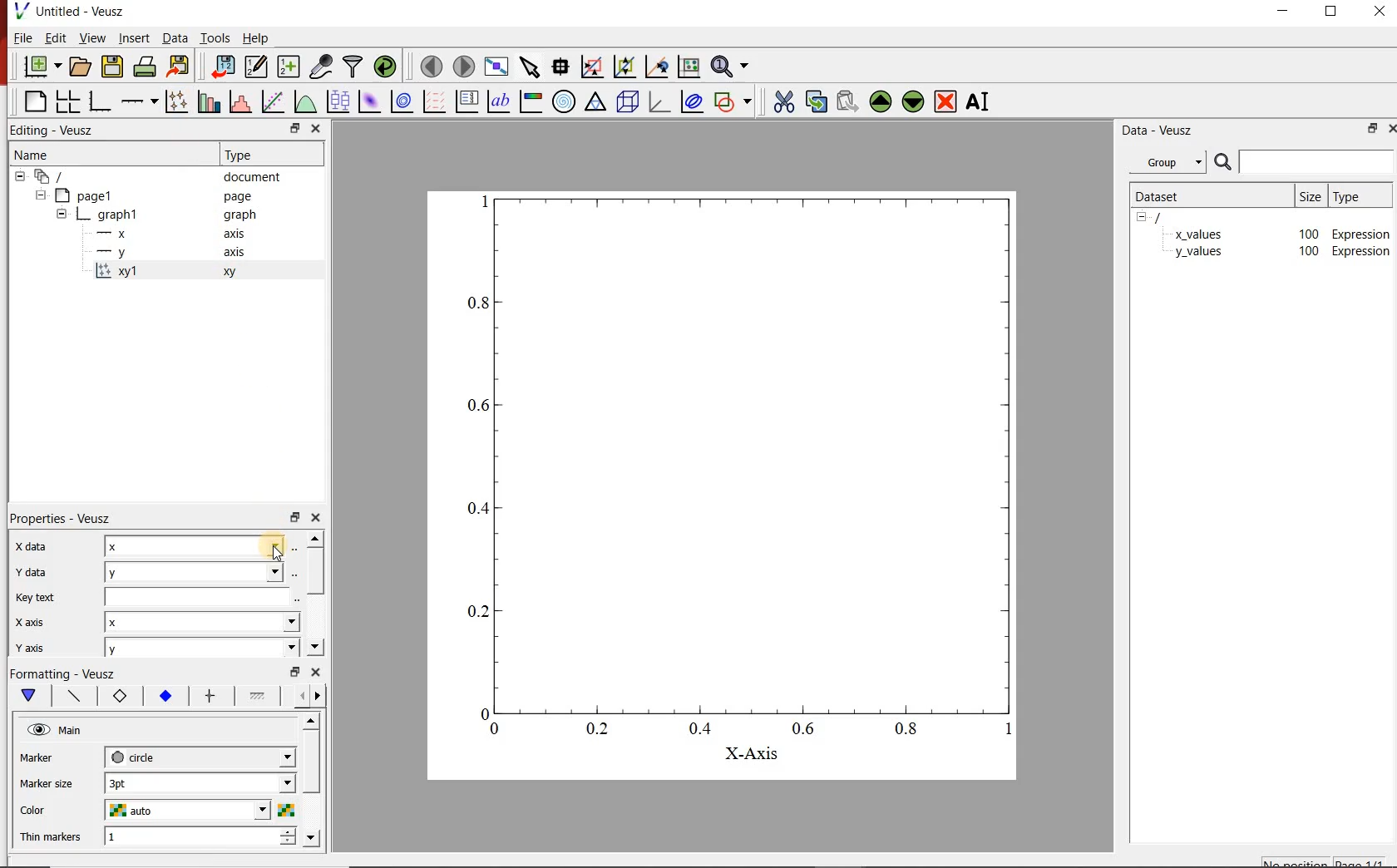 Image resolution: width=1397 pixels, height=868 pixels. What do you see at coordinates (1382, 13) in the screenshot?
I see `close` at bounding box center [1382, 13].